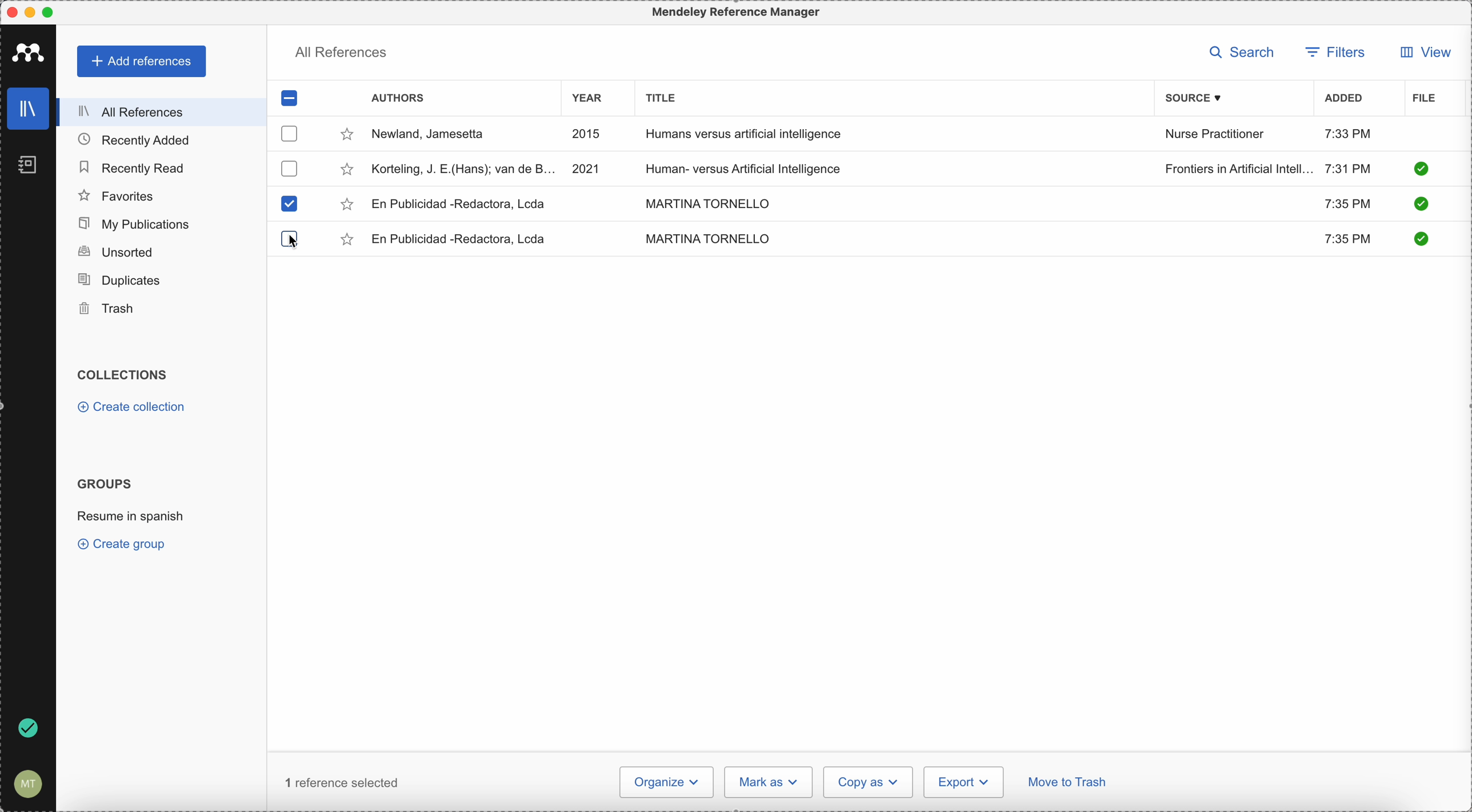  What do you see at coordinates (745, 135) in the screenshot?
I see `Humans versus artificial intelligence` at bounding box center [745, 135].